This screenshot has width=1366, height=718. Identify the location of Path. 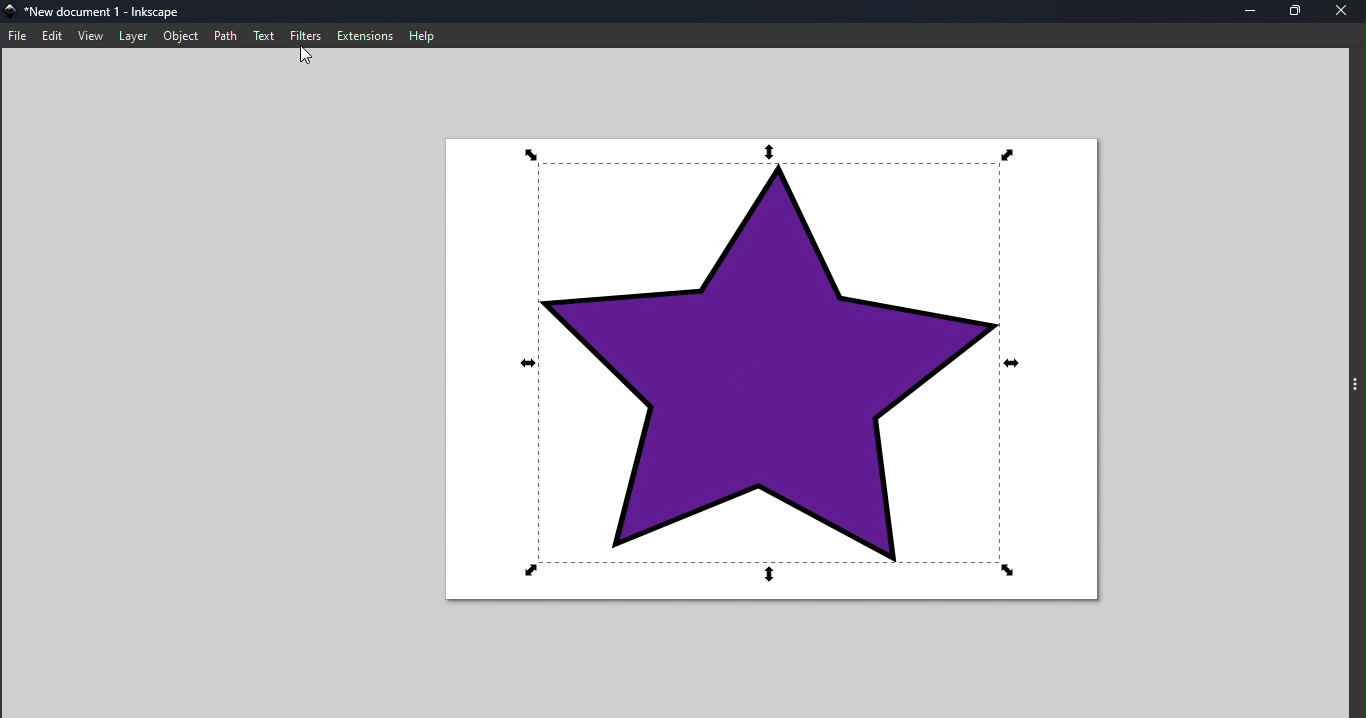
(223, 36).